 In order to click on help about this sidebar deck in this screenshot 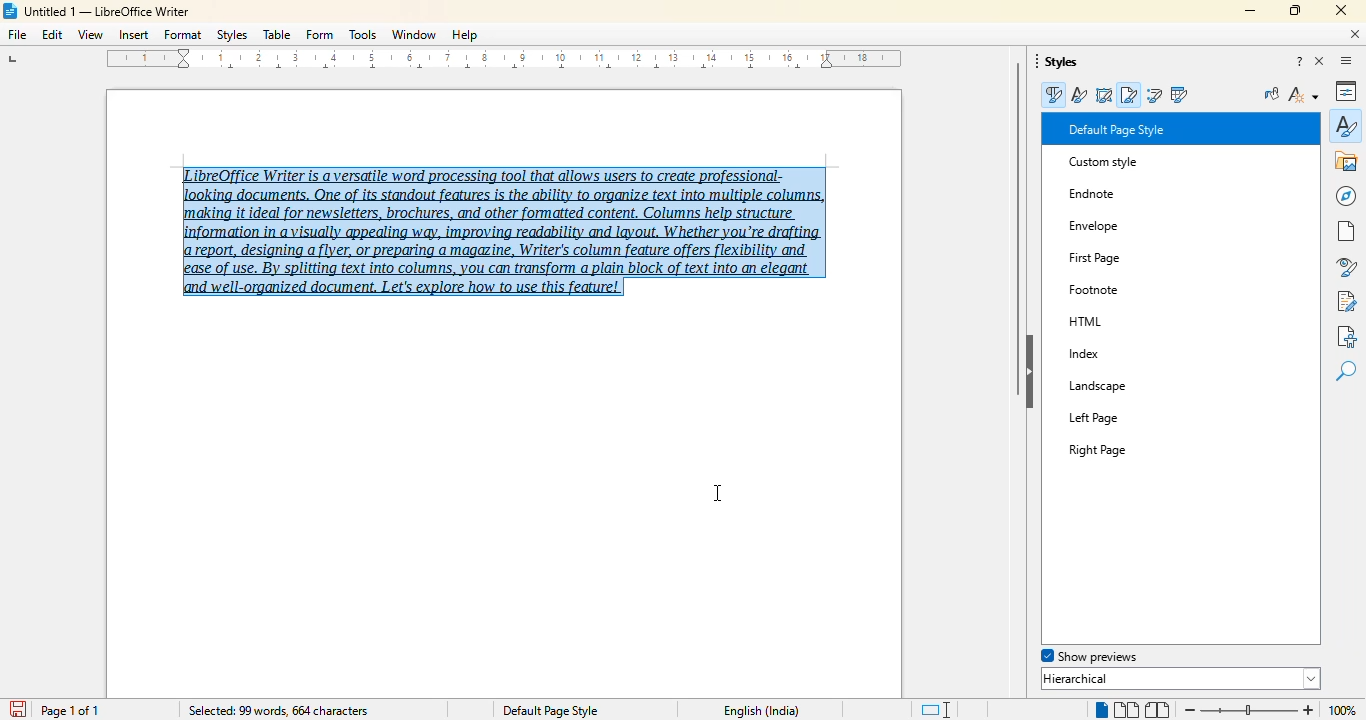, I will do `click(1300, 62)`.